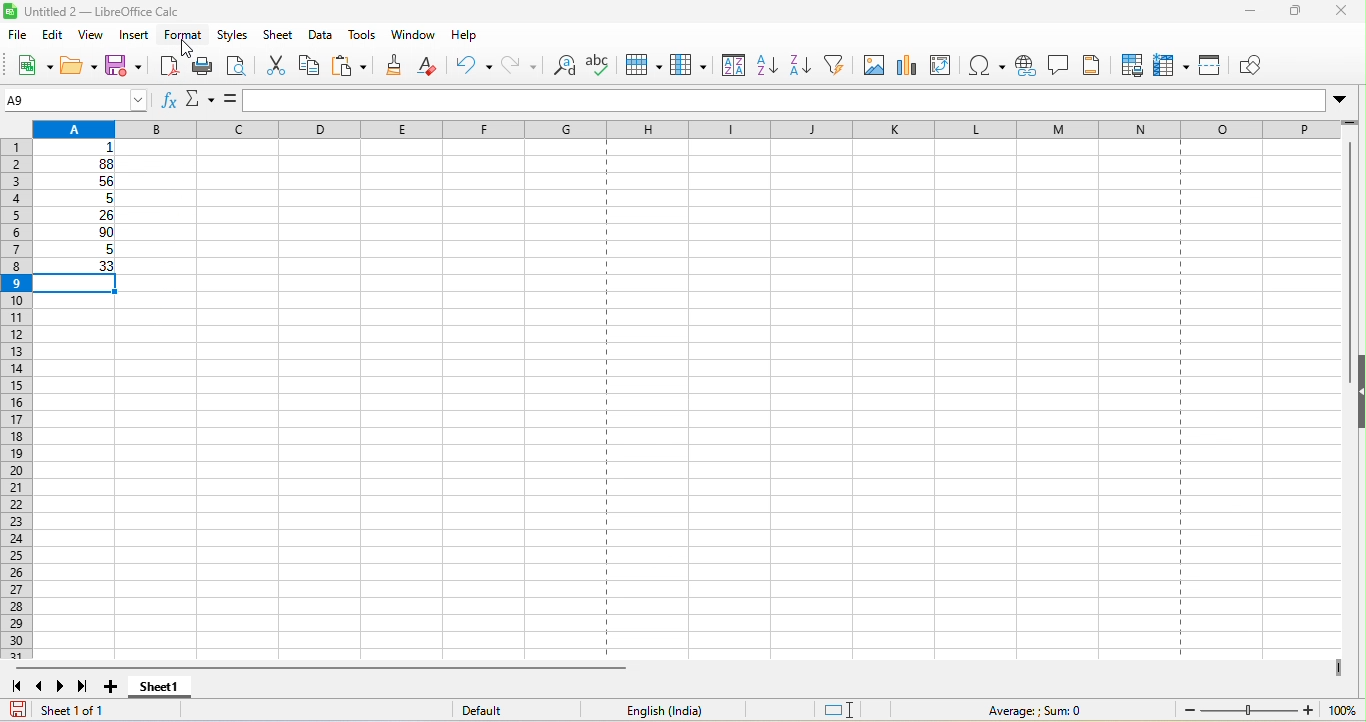 The height and width of the screenshot is (722, 1366). I want to click on select function, so click(201, 99).